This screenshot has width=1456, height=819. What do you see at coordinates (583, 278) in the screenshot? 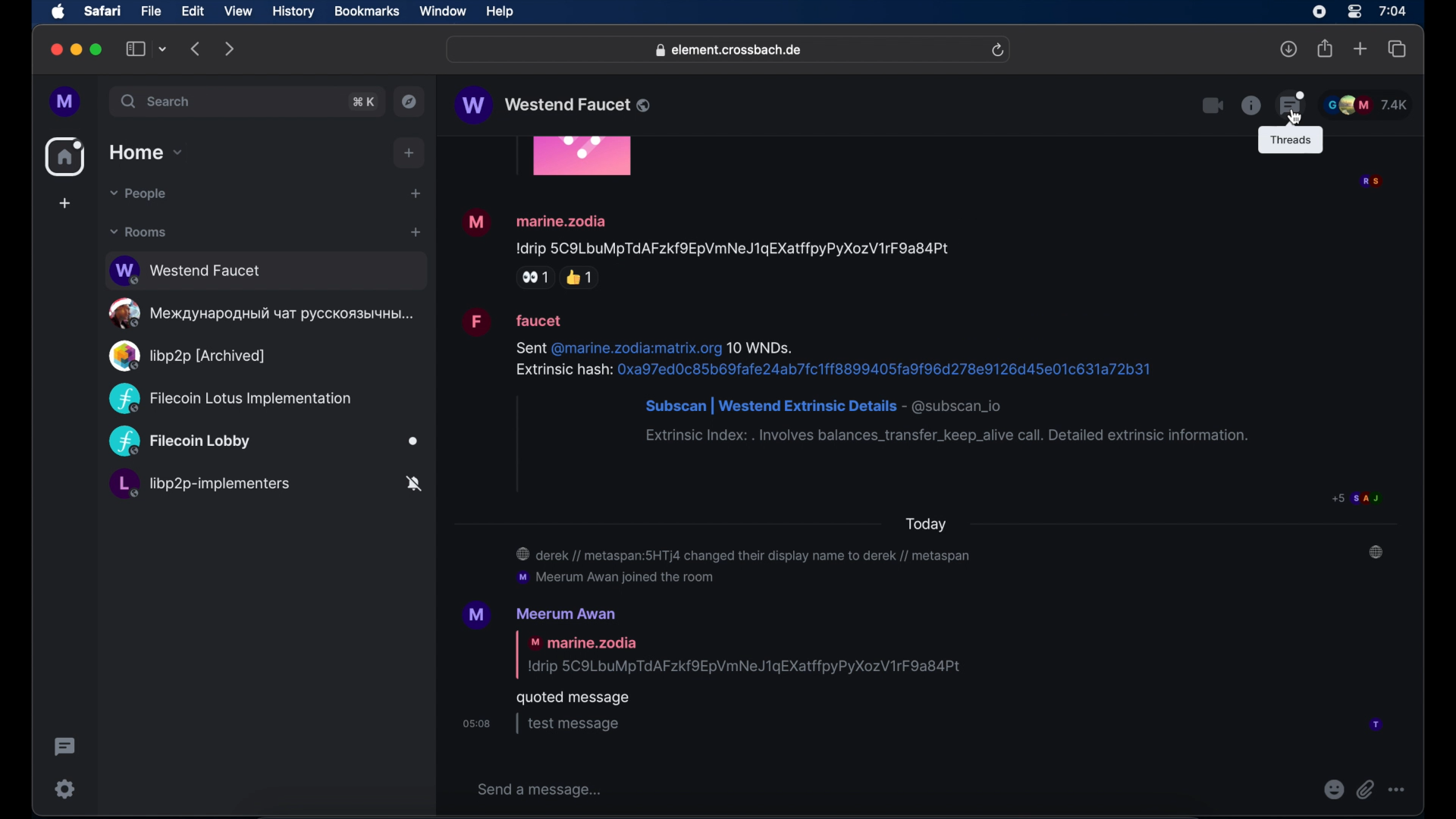
I see `thumbs up reaction` at bounding box center [583, 278].